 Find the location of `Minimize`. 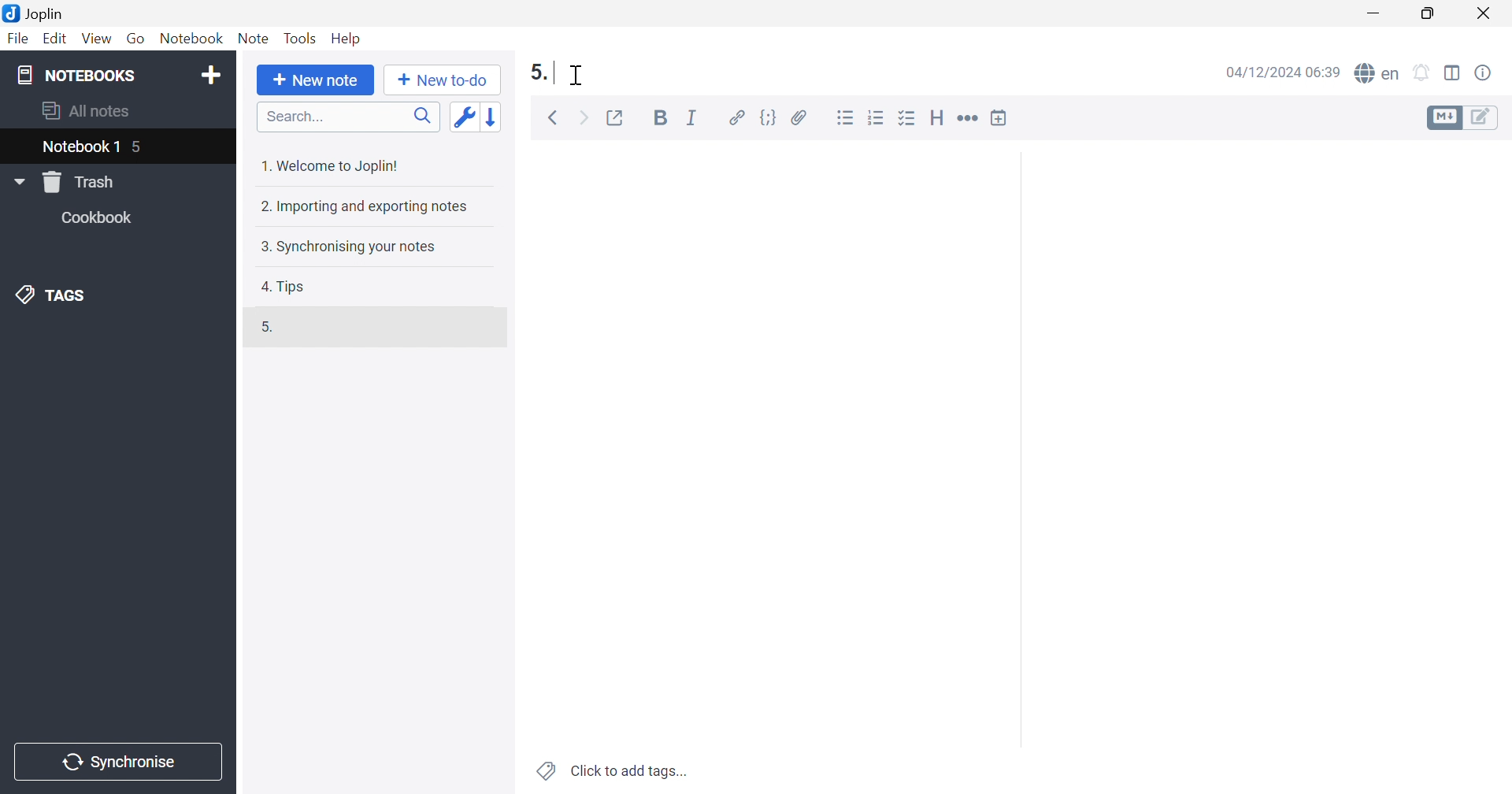

Minimize is located at coordinates (1377, 9).